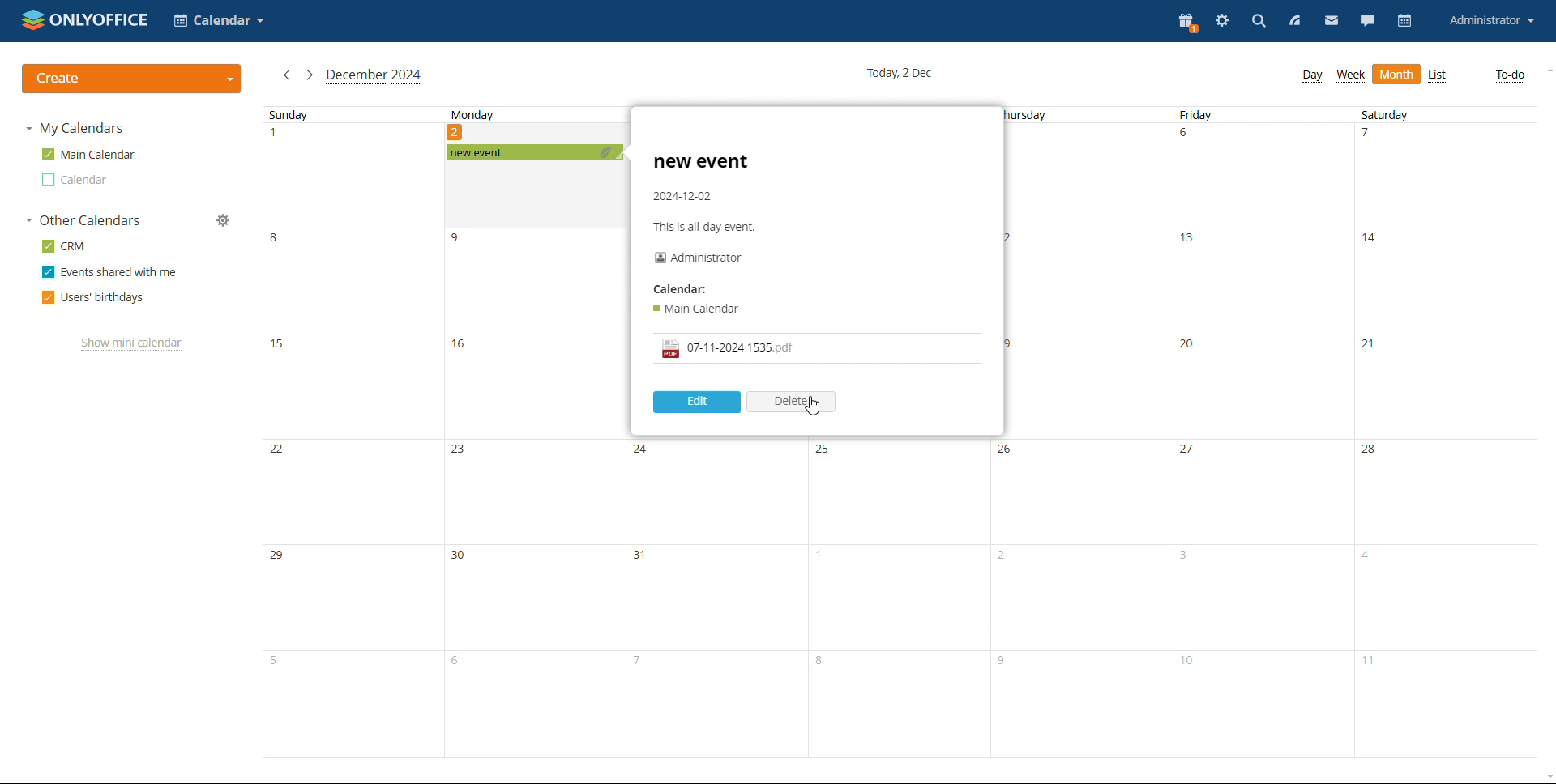 The image size is (1556, 784). I want to click on 3, so click(1188, 556).